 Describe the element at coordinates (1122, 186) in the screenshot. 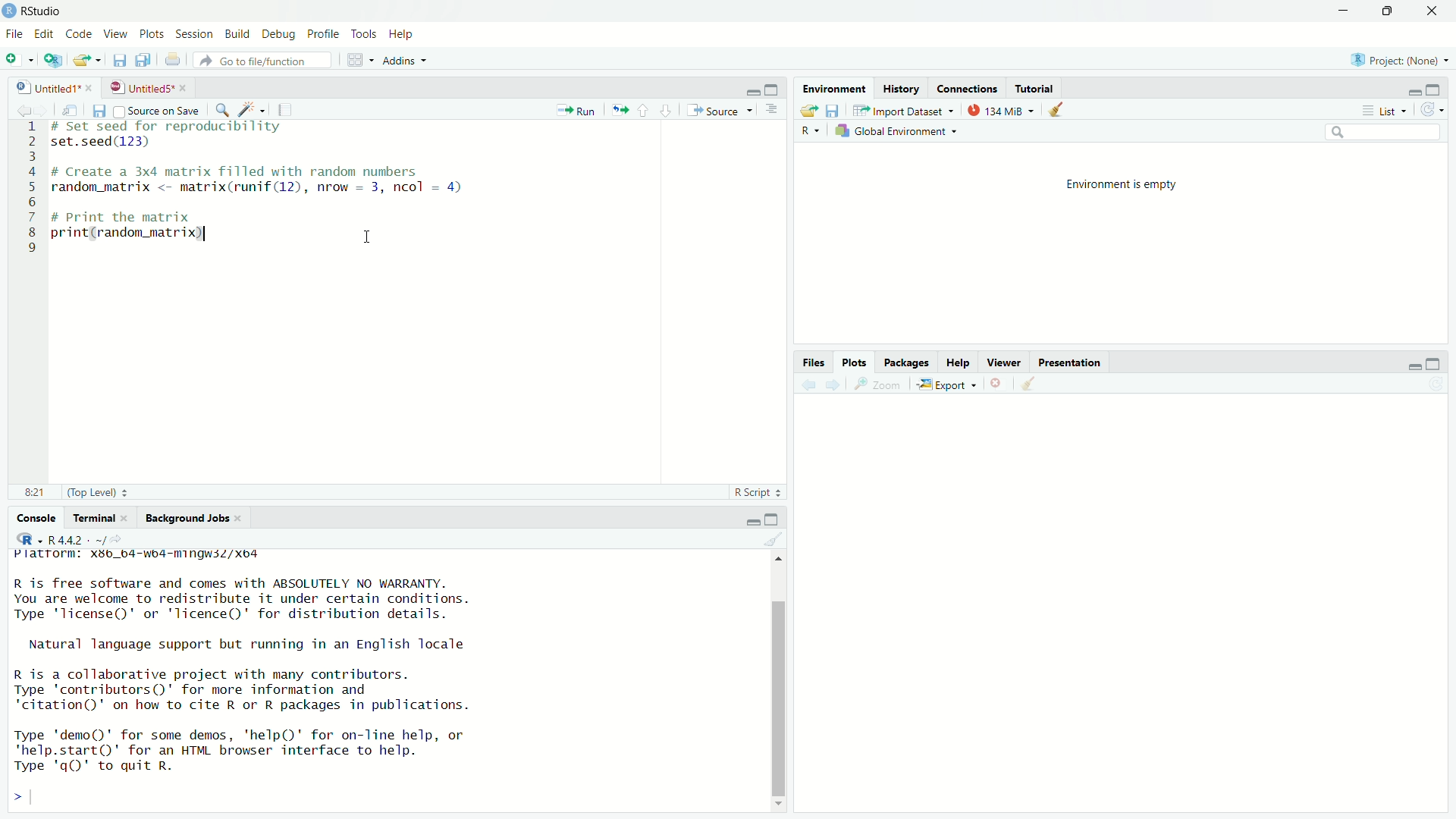

I see `Environment is empty` at that location.